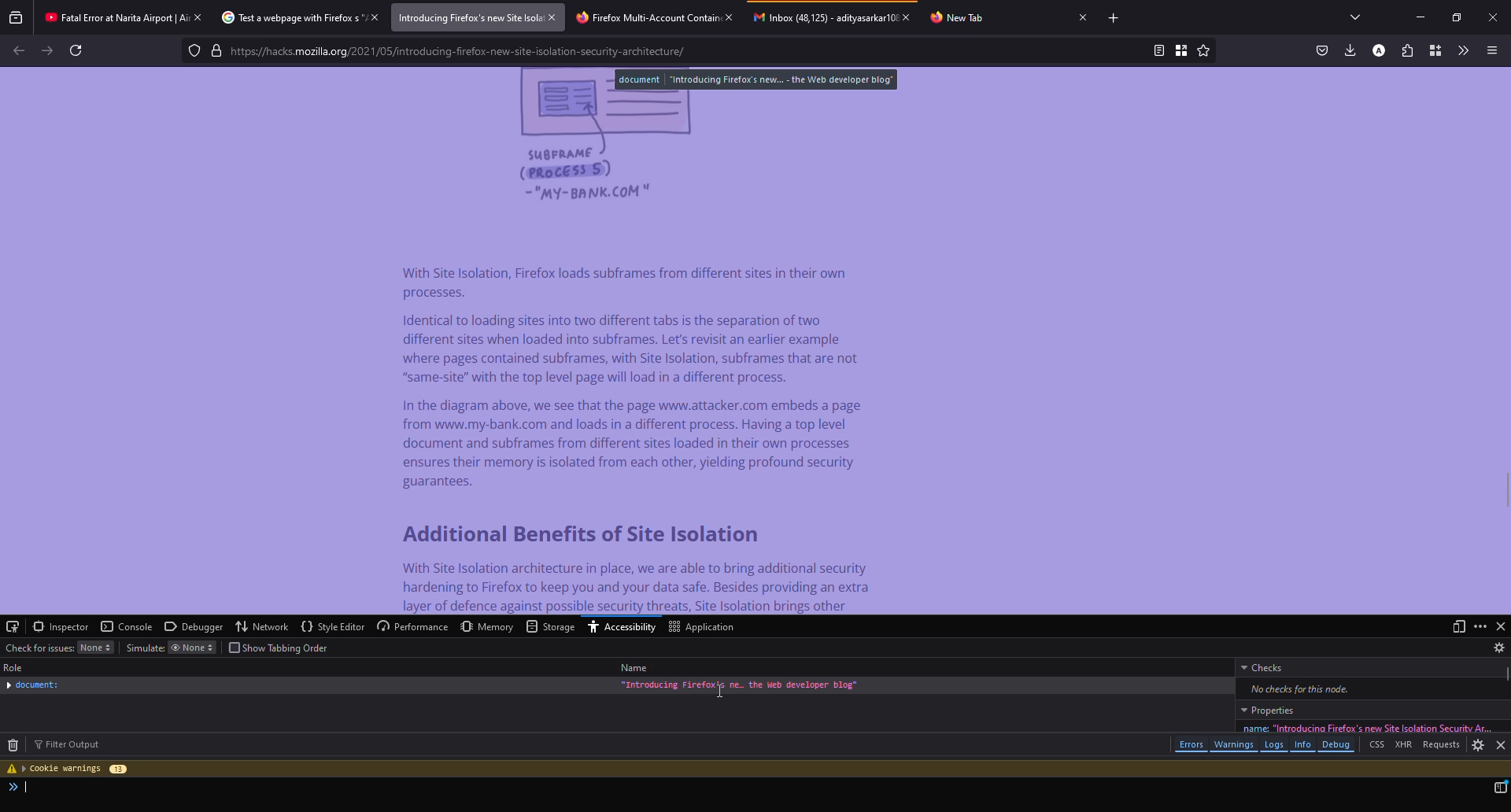 The width and height of the screenshot is (1511, 812). What do you see at coordinates (30, 789) in the screenshot?
I see `code` at bounding box center [30, 789].